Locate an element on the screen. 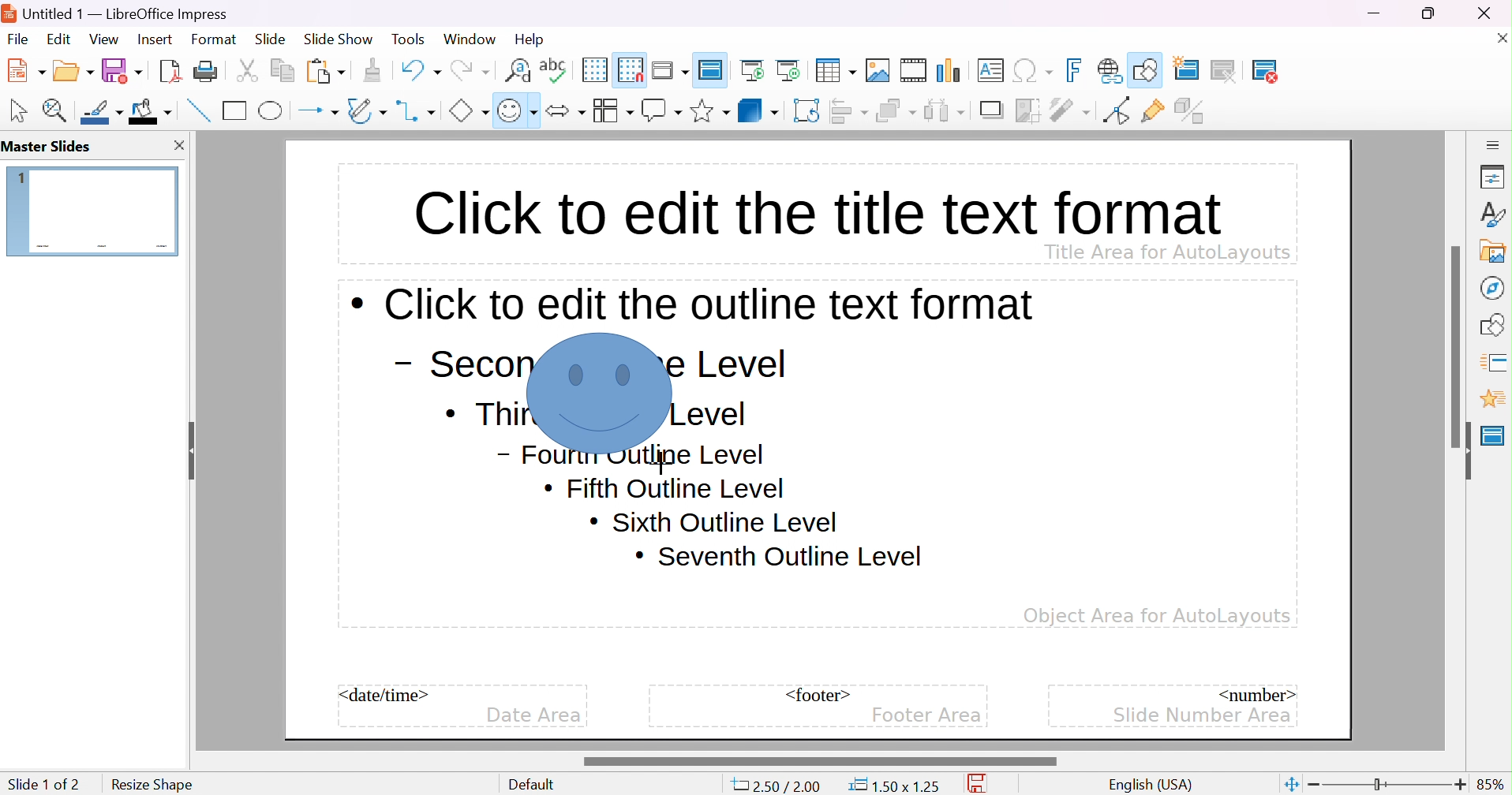 The image size is (1512, 795). save is located at coordinates (982, 784).